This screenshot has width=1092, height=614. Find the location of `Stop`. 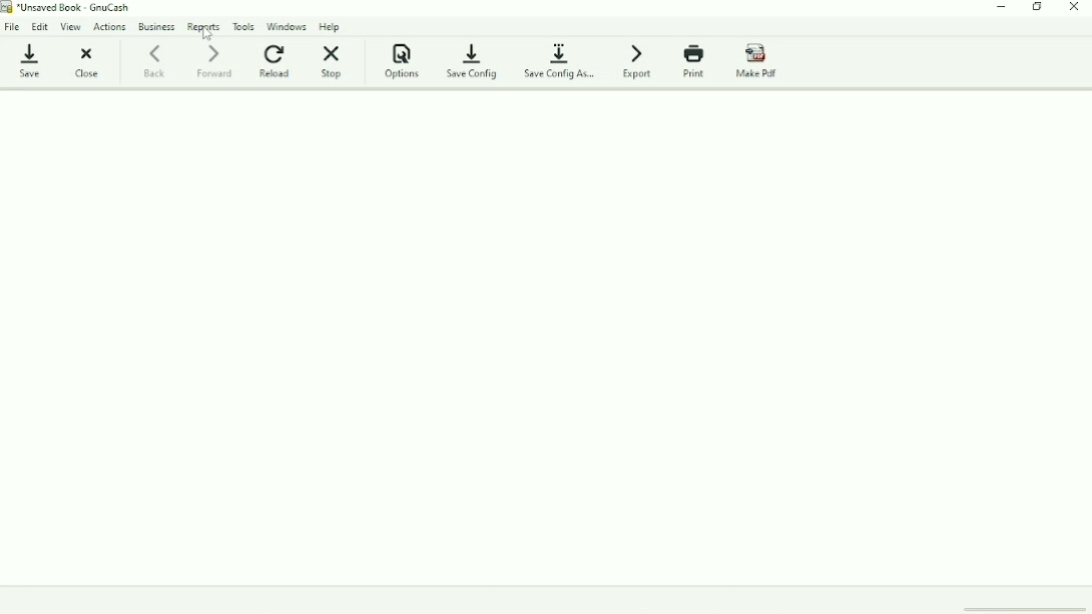

Stop is located at coordinates (332, 61).